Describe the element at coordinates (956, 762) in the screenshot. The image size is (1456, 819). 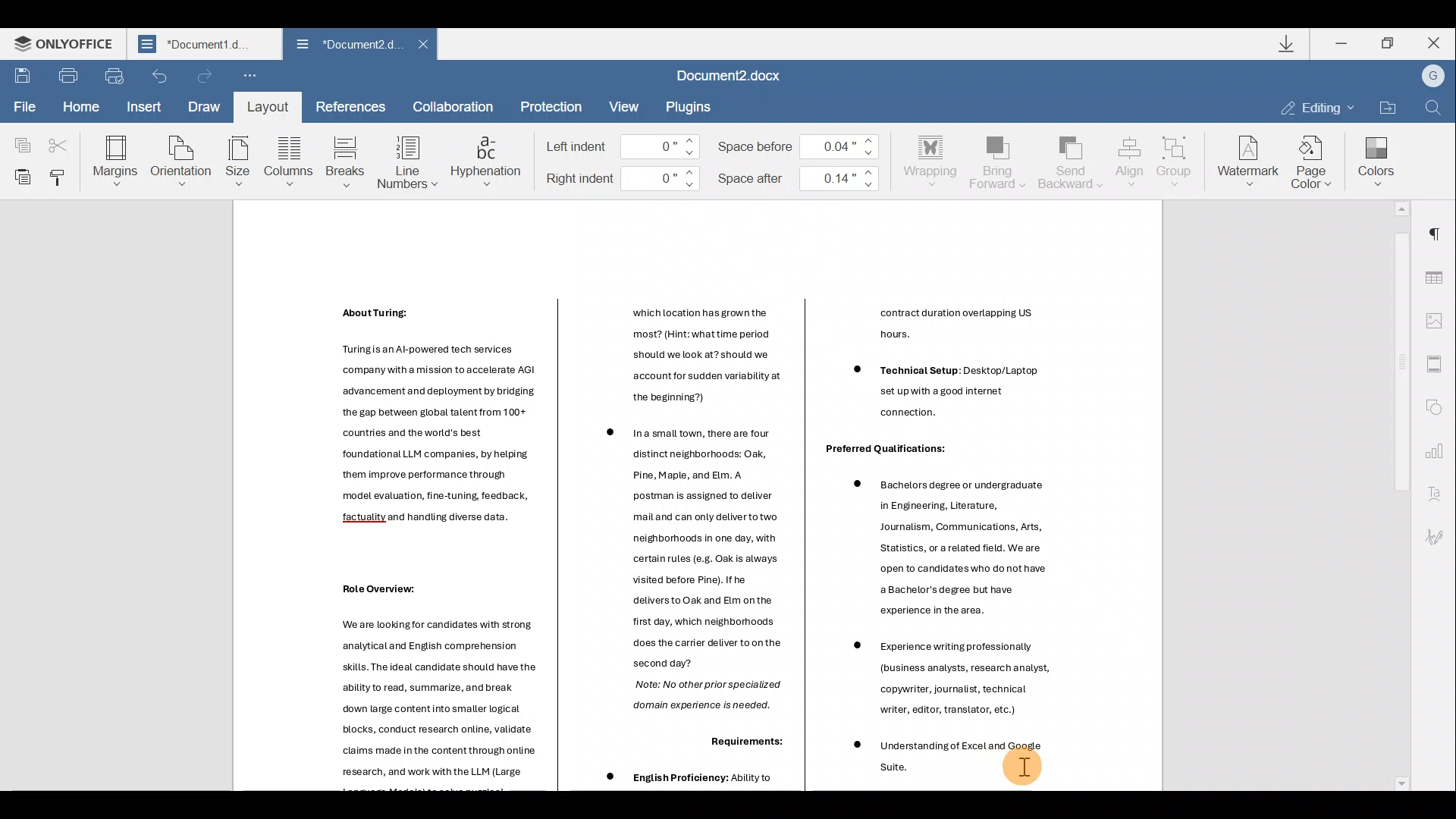
I see `` at that location.